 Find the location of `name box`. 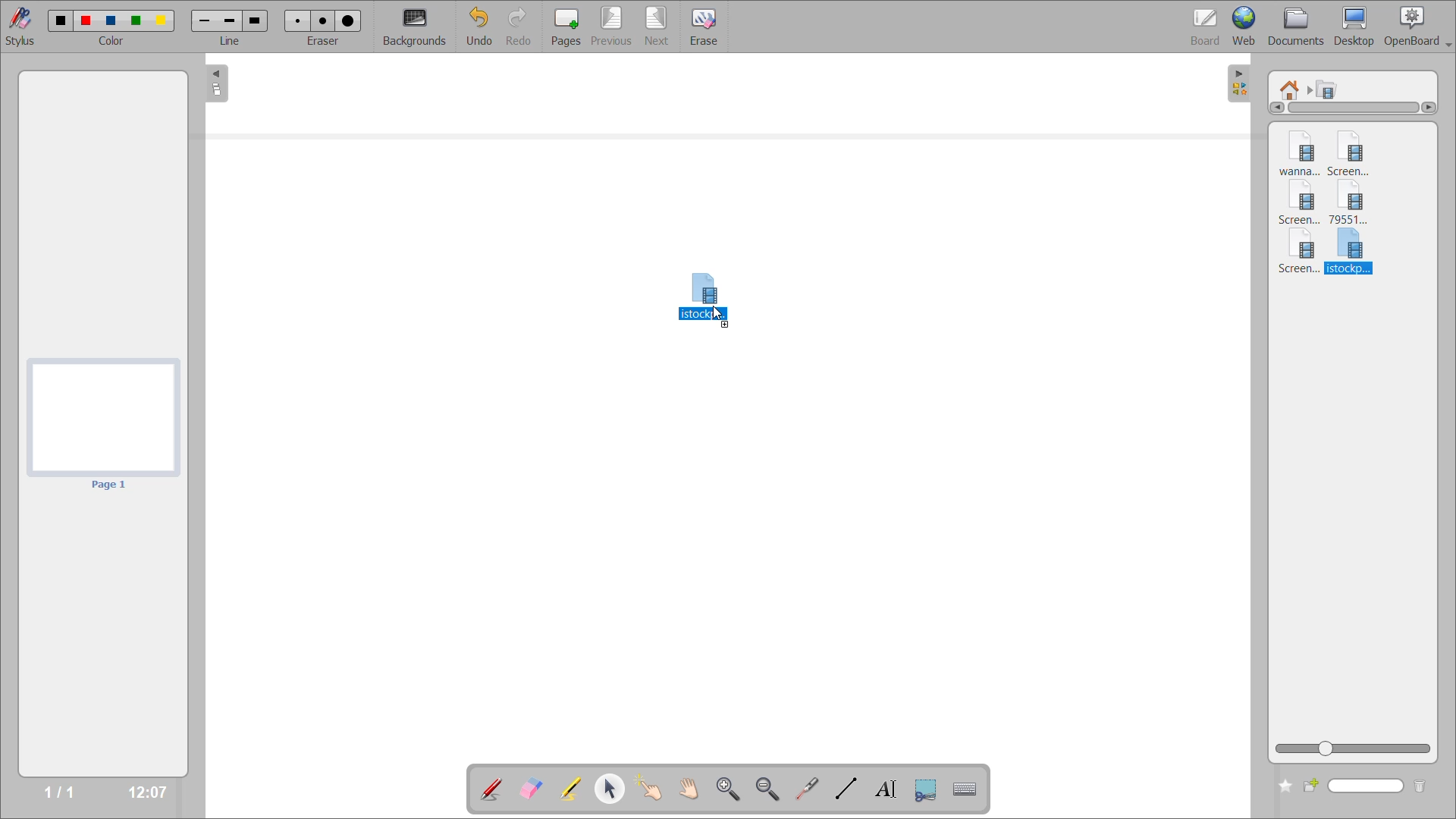

name box is located at coordinates (1360, 787).